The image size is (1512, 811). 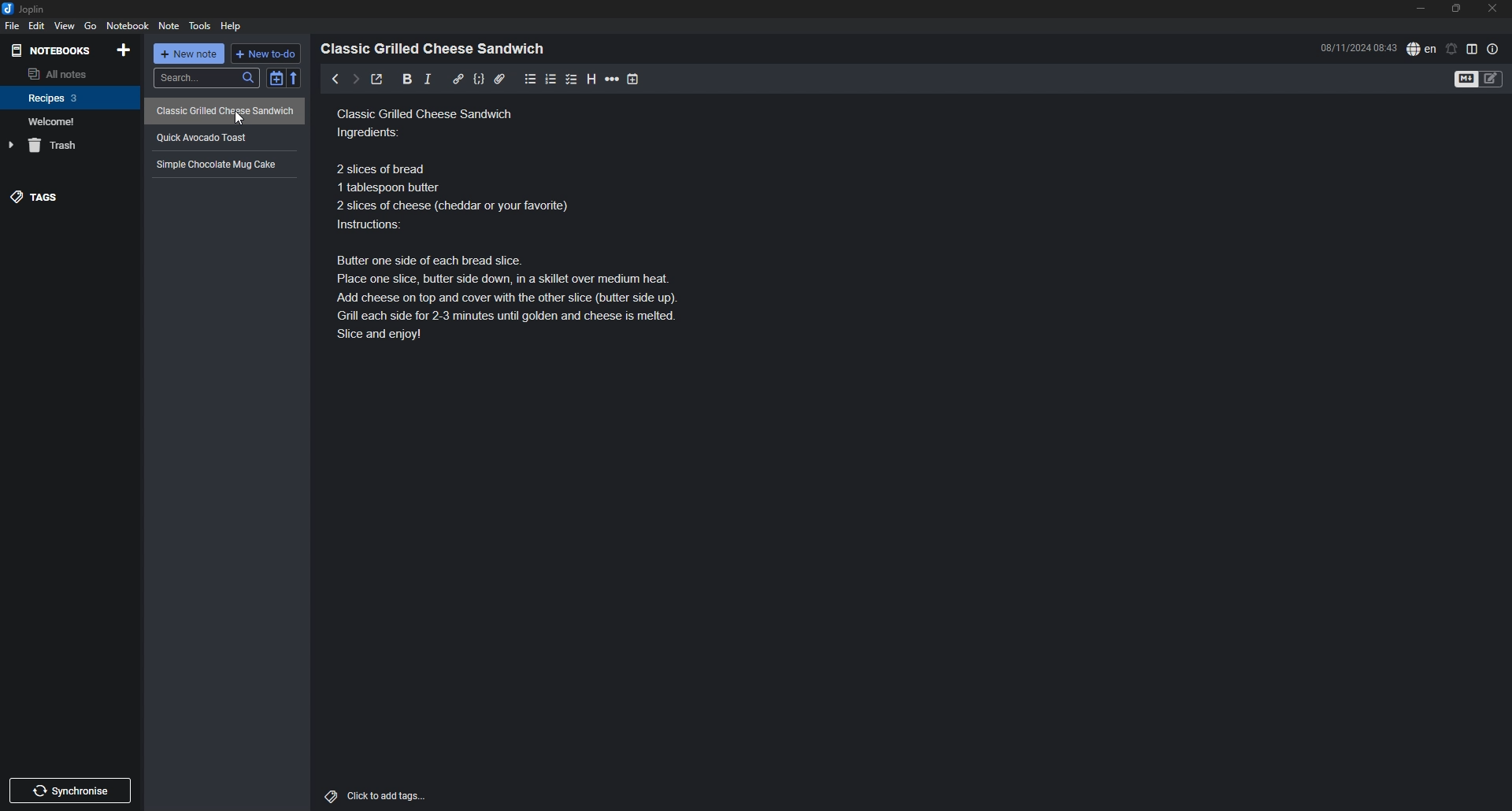 I want to click on previous, so click(x=335, y=79).